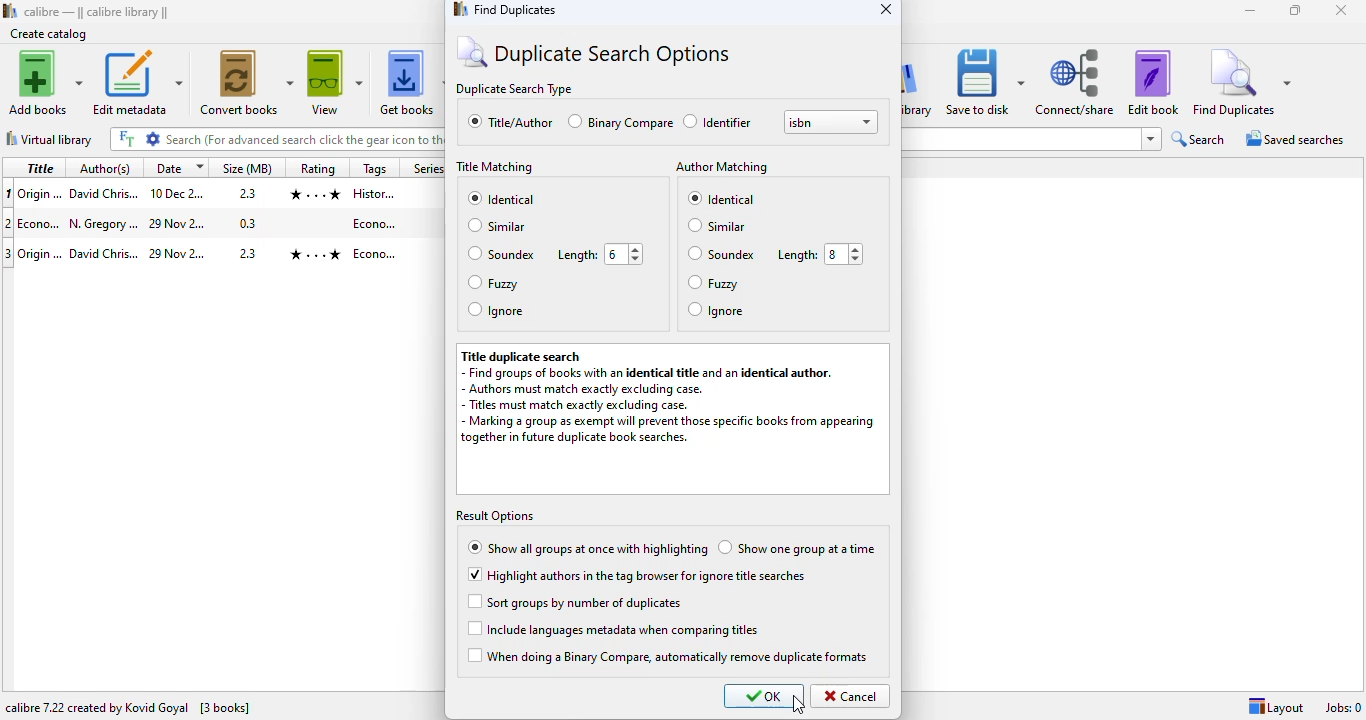 This screenshot has height=720, width=1366. I want to click on connect/share, so click(1076, 83).